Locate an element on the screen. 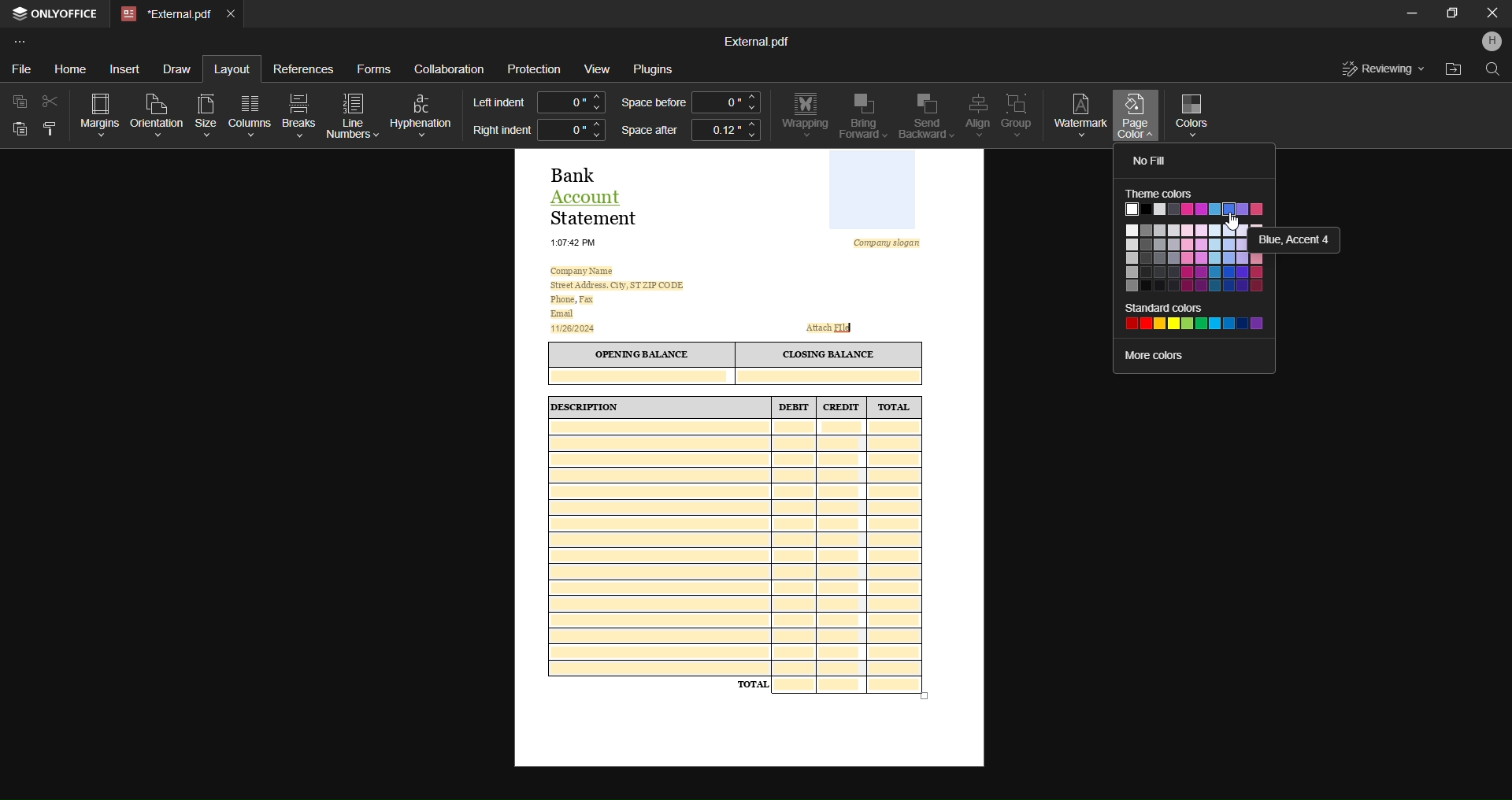  File is located at coordinates (23, 66).